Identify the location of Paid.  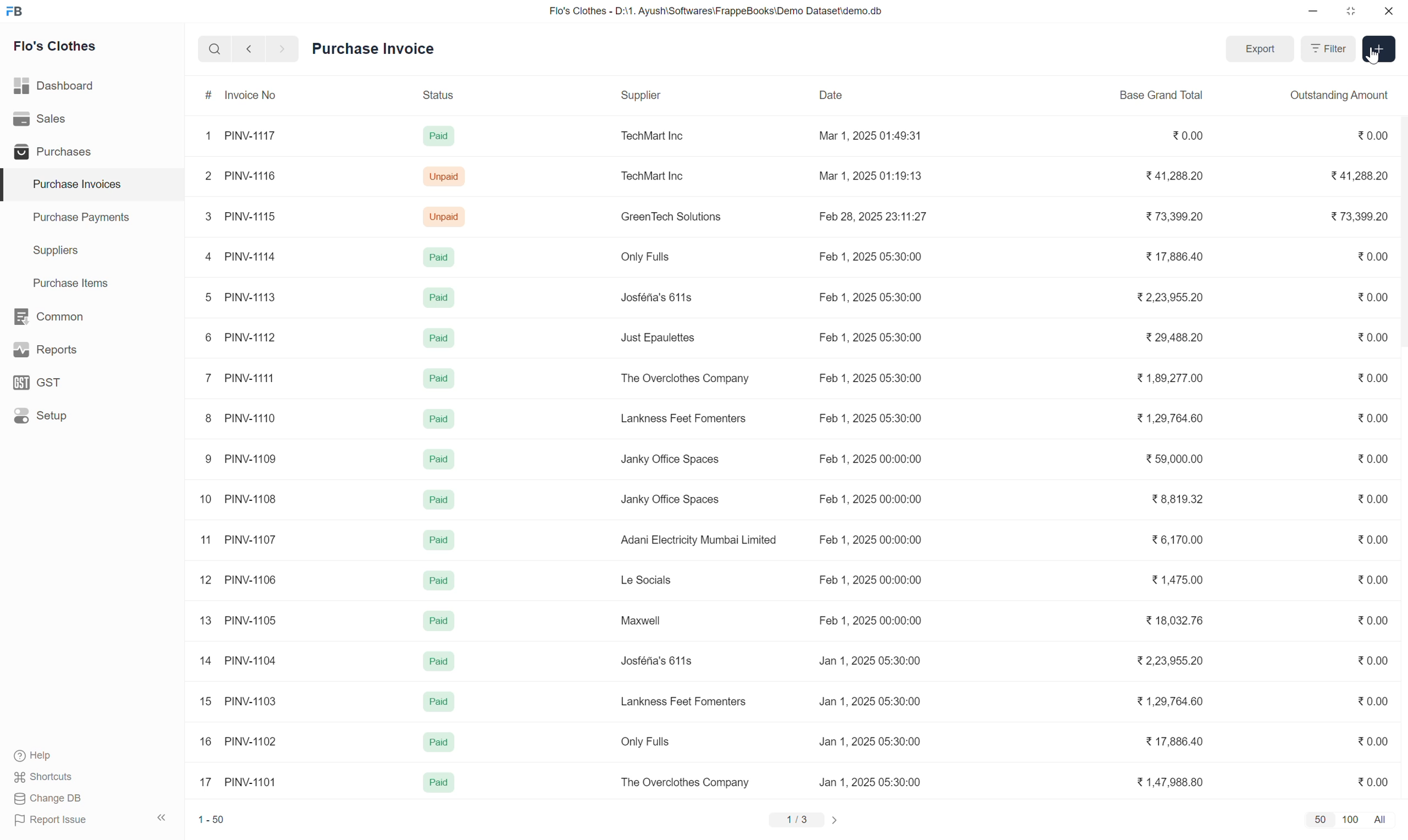
(438, 742).